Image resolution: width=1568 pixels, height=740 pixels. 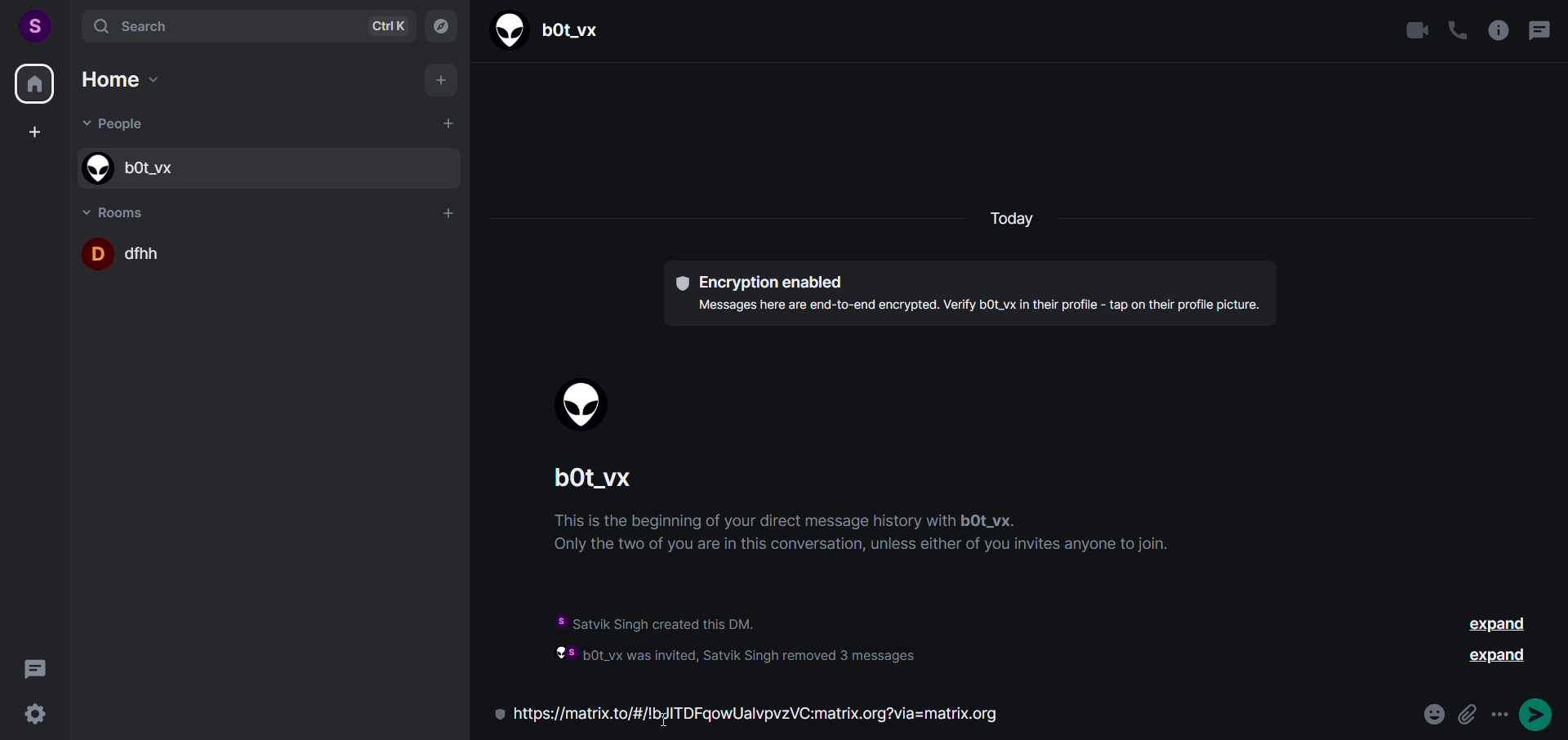 What do you see at coordinates (440, 25) in the screenshot?
I see `explore` at bounding box center [440, 25].